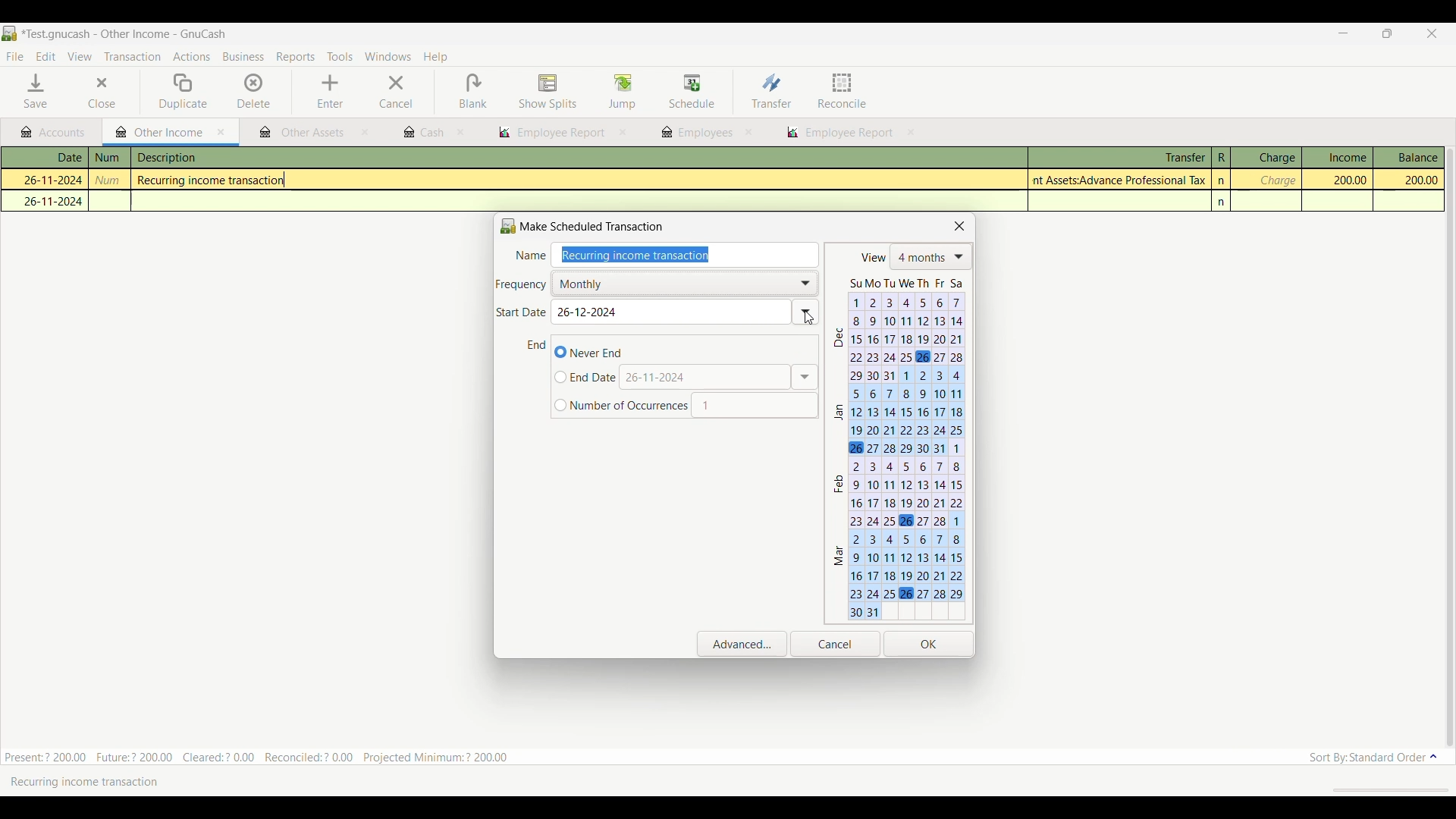 This screenshot has width=1456, height=819. Describe the element at coordinates (537, 345) in the screenshot. I see `Indicates end date of transaction` at that location.